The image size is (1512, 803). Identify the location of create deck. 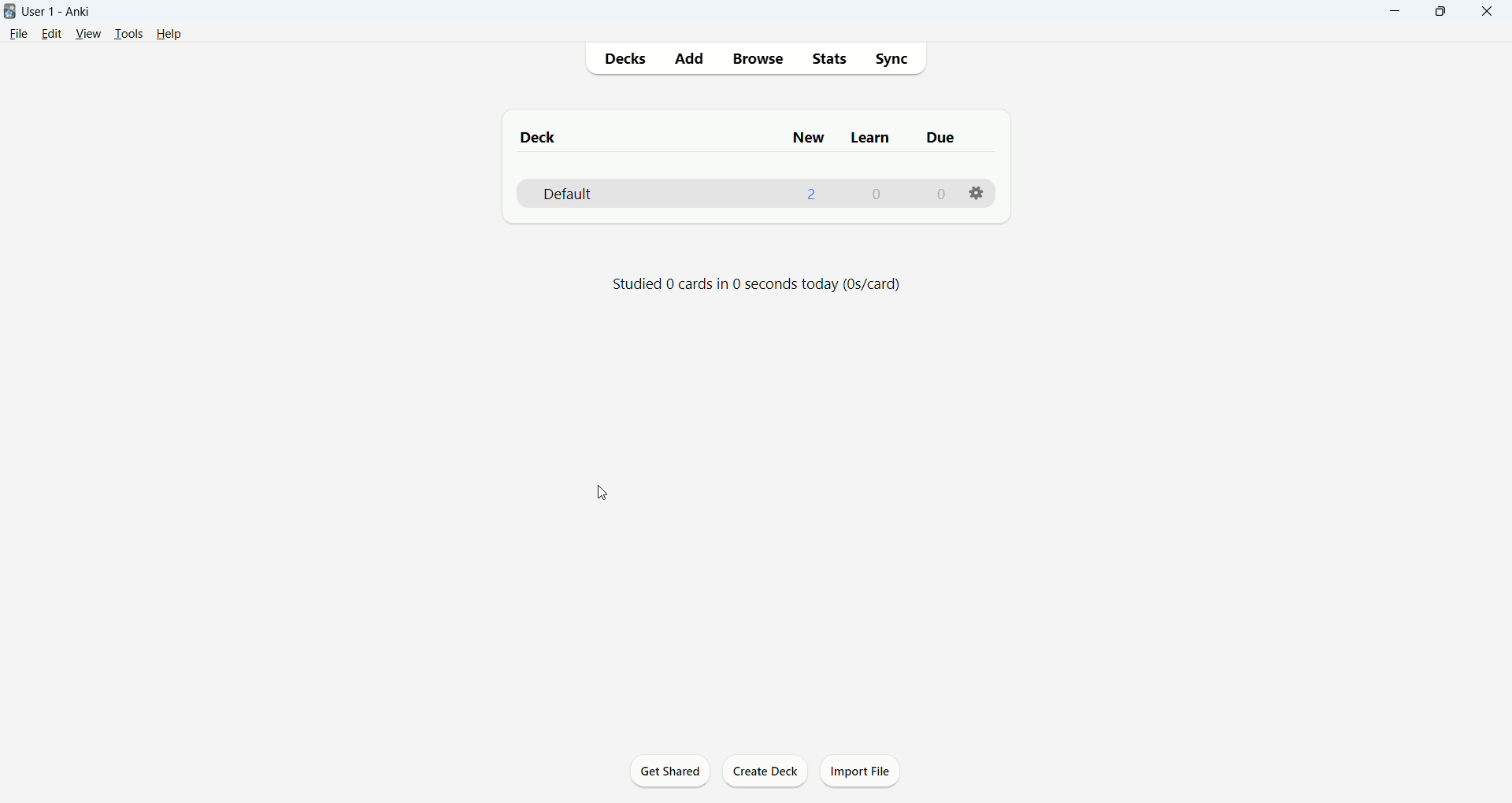
(766, 770).